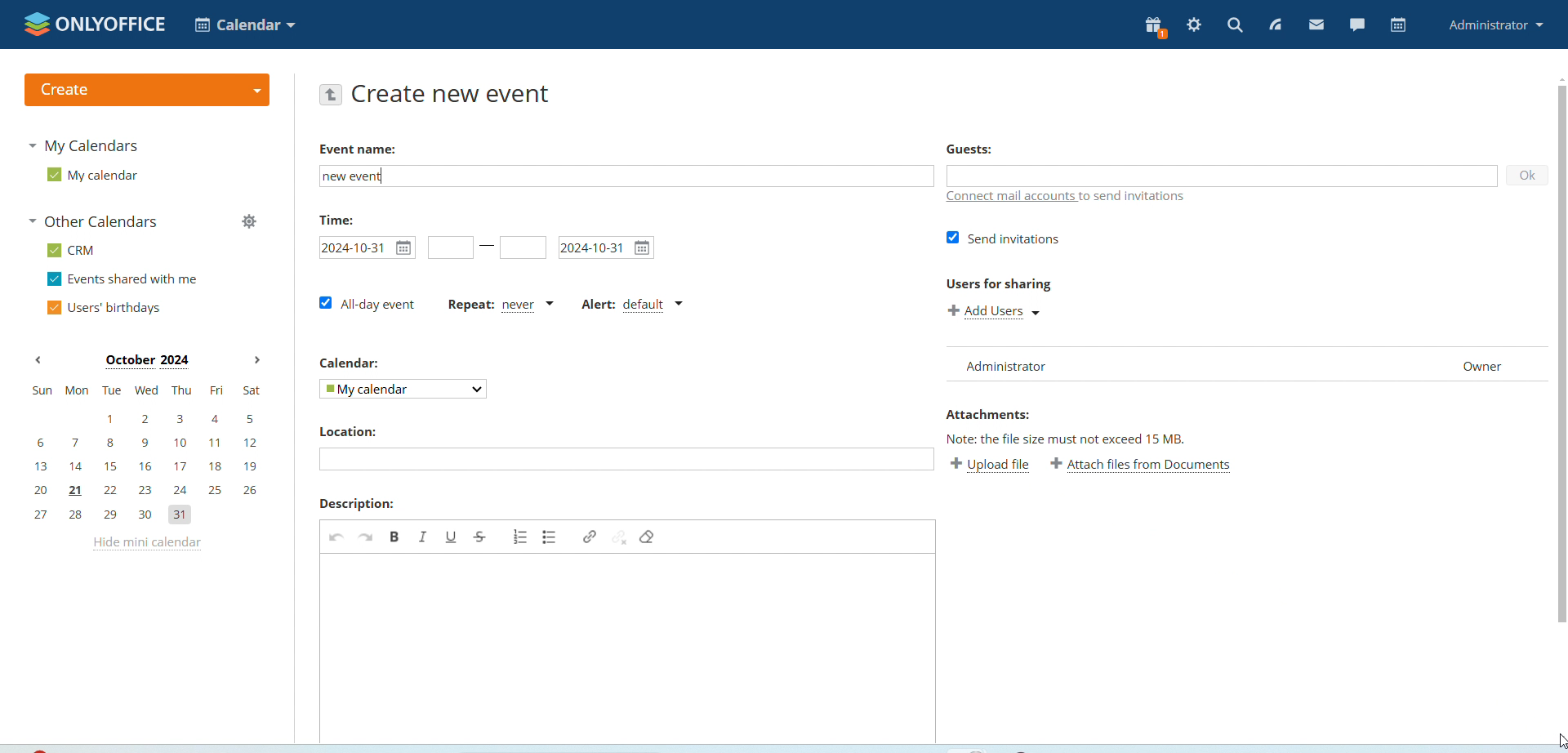 The image size is (1568, 753). I want to click on Description, so click(355, 506).